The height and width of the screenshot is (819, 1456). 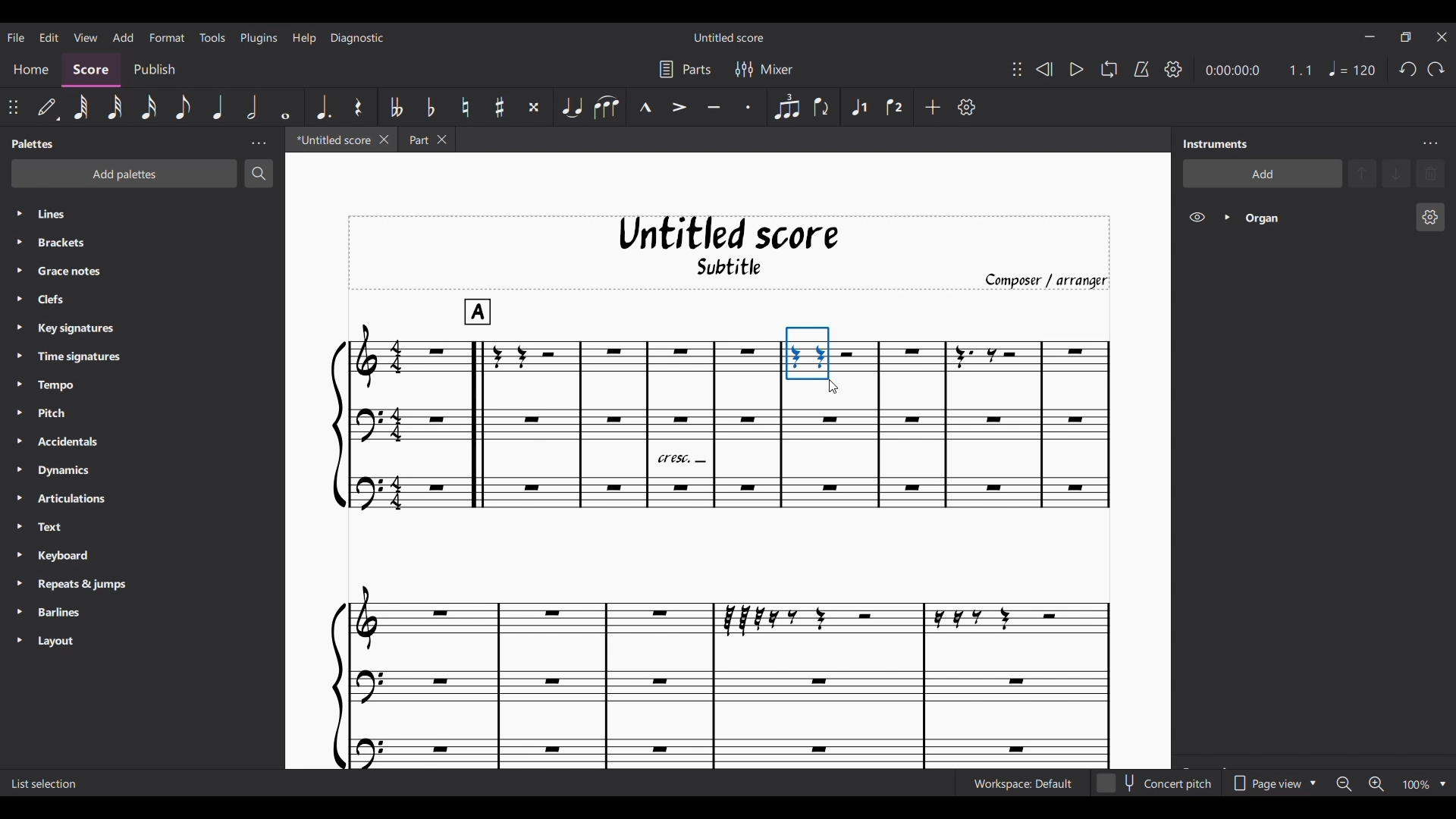 I want to click on Marcato, so click(x=645, y=108).